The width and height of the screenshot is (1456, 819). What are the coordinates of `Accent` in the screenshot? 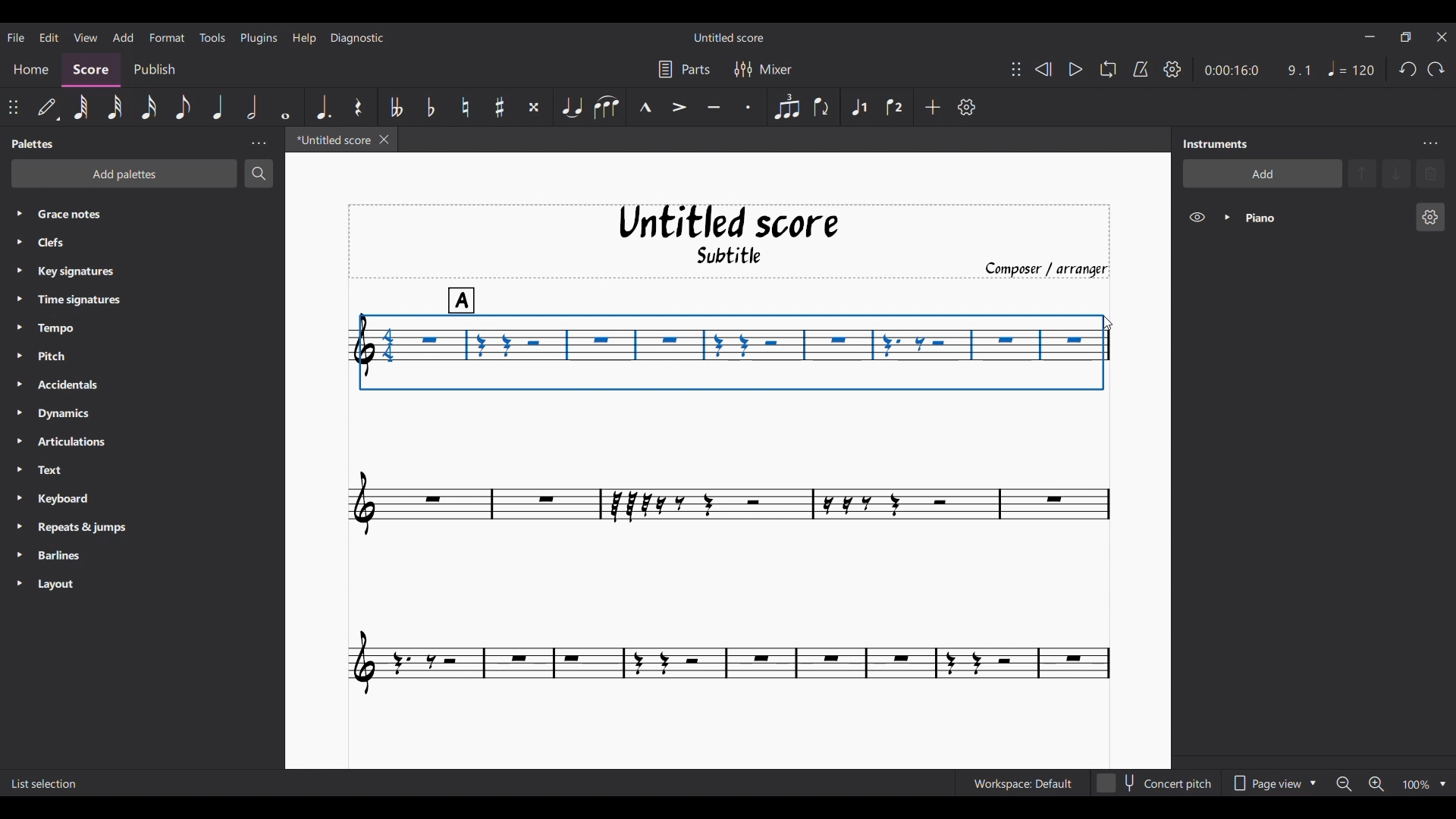 It's located at (678, 107).